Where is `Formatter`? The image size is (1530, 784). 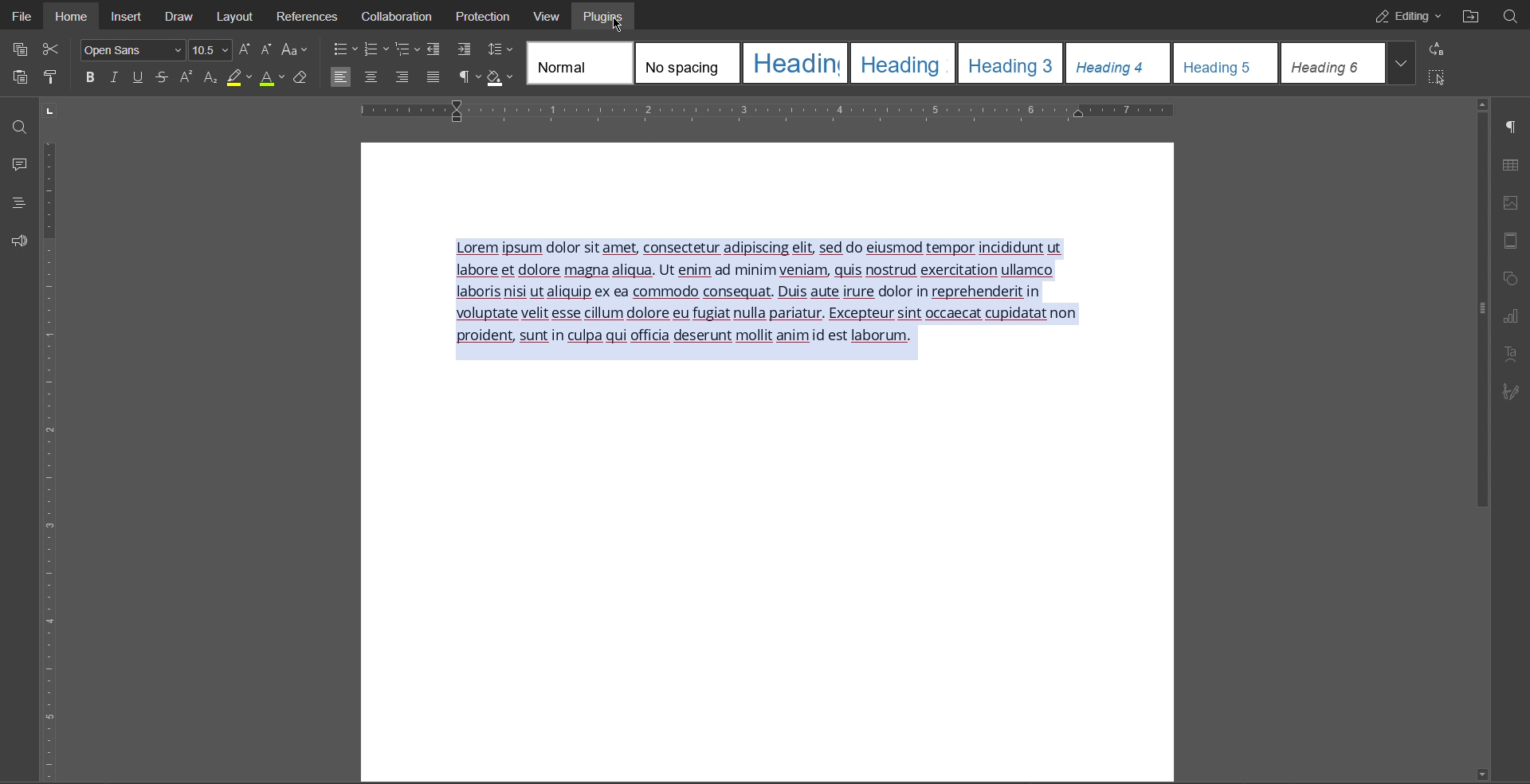
Formatter is located at coordinates (49, 78).